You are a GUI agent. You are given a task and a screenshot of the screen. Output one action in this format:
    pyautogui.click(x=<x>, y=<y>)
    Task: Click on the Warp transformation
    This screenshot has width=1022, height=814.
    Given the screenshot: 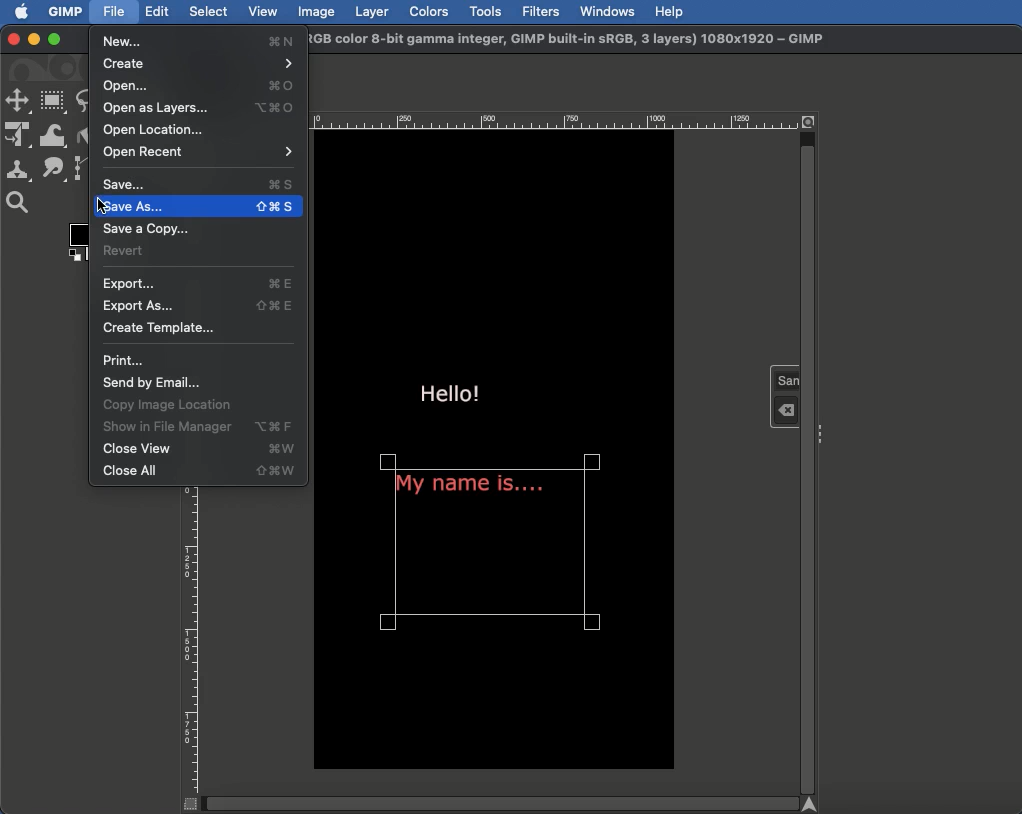 What is the action you would take?
    pyautogui.click(x=55, y=135)
    